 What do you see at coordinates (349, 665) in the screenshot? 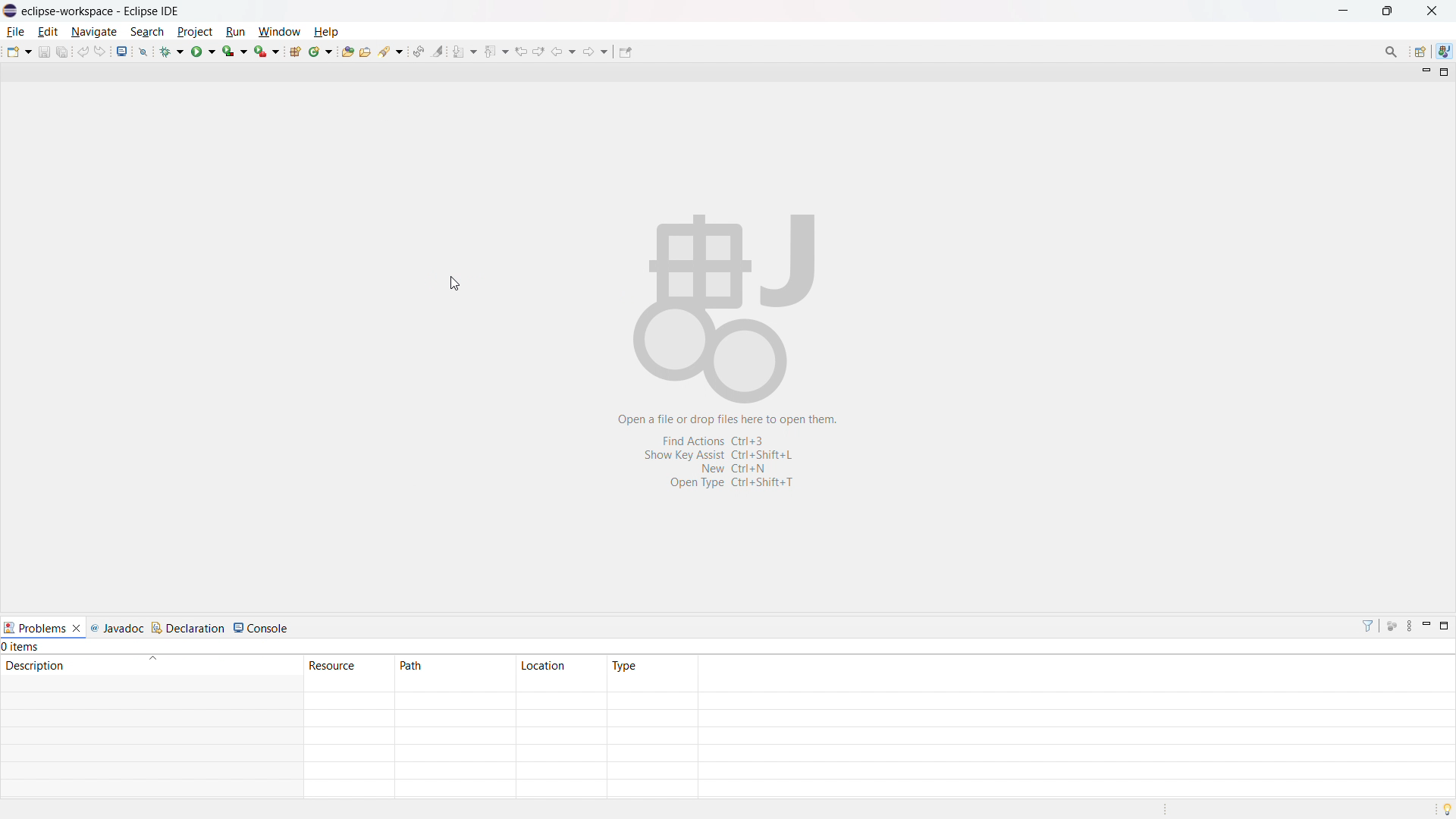
I see `resource` at bounding box center [349, 665].